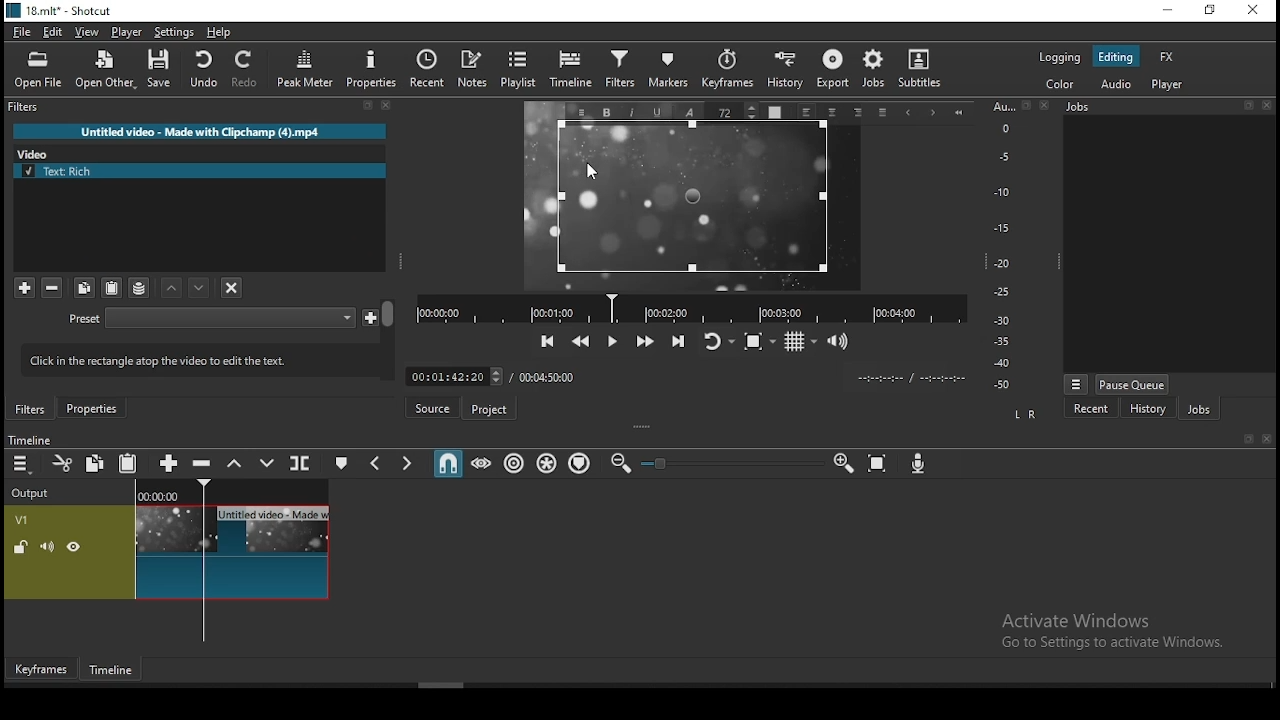 The height and width of the screenshot is (720, 1280). I want to click on show volume control, so click(839, 340).